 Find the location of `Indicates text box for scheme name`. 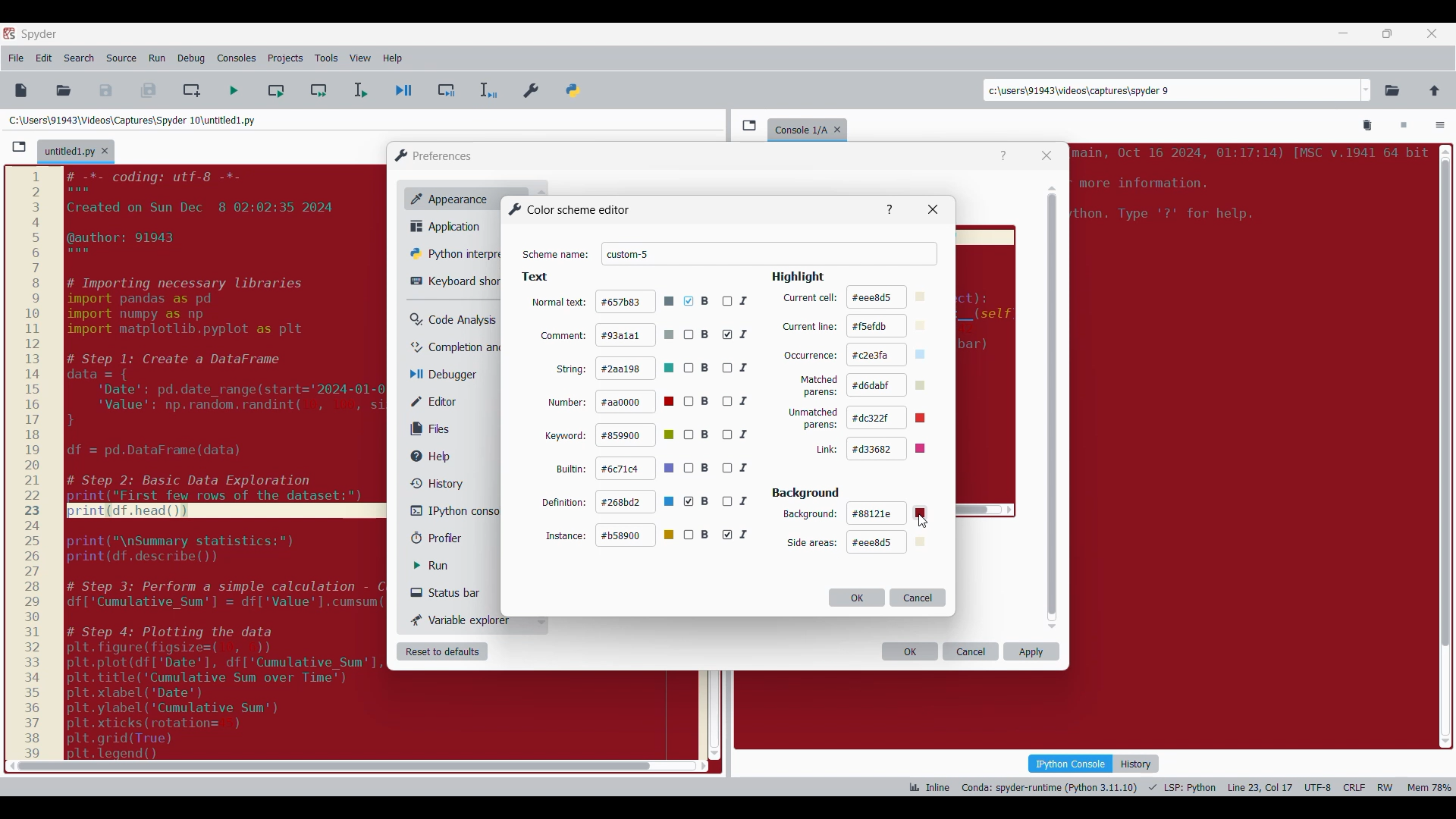

Indicates text box for scheme name is located at coordinates (556, 255).